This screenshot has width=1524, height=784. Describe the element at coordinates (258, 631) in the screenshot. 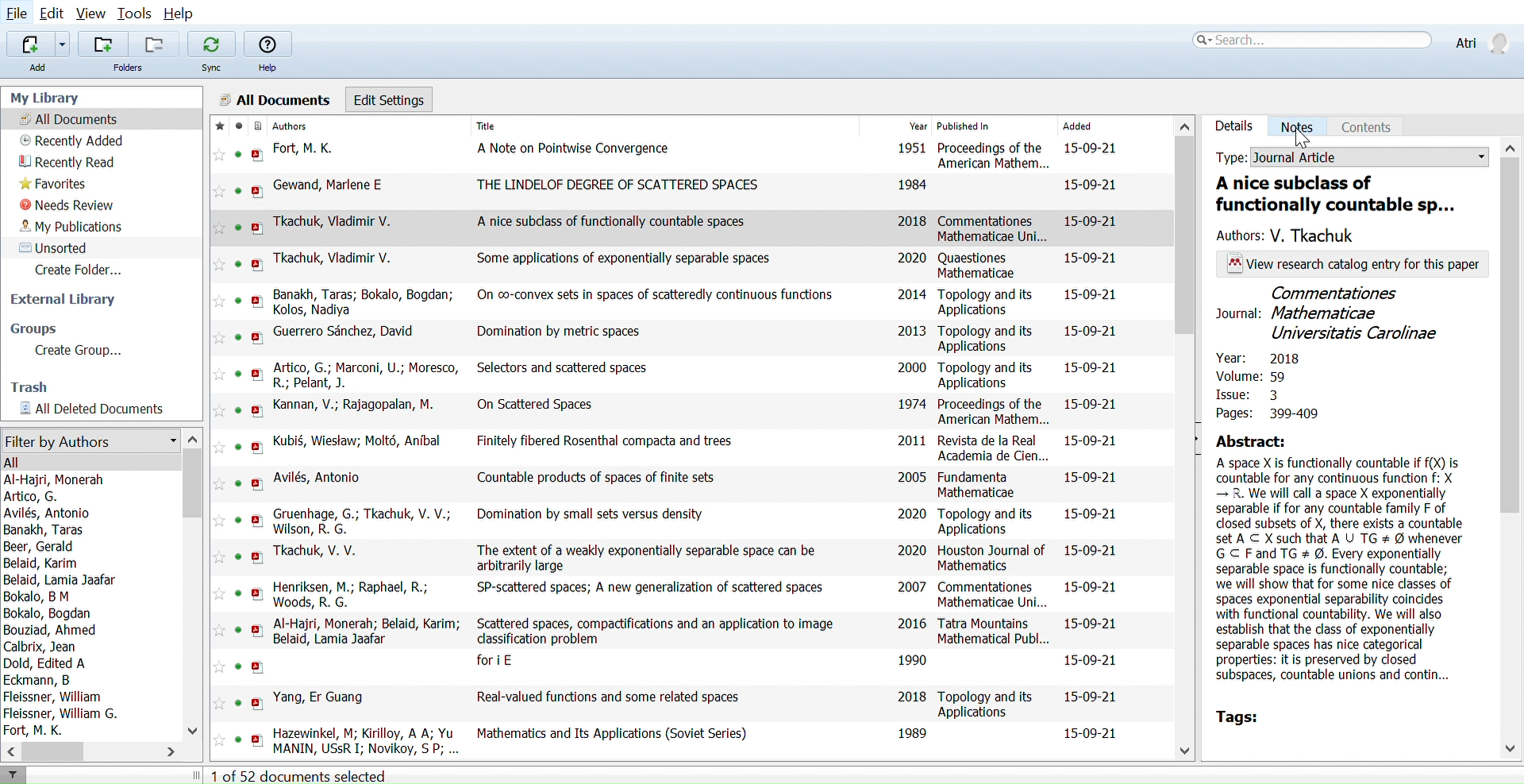

I see `open PDF` at that location.